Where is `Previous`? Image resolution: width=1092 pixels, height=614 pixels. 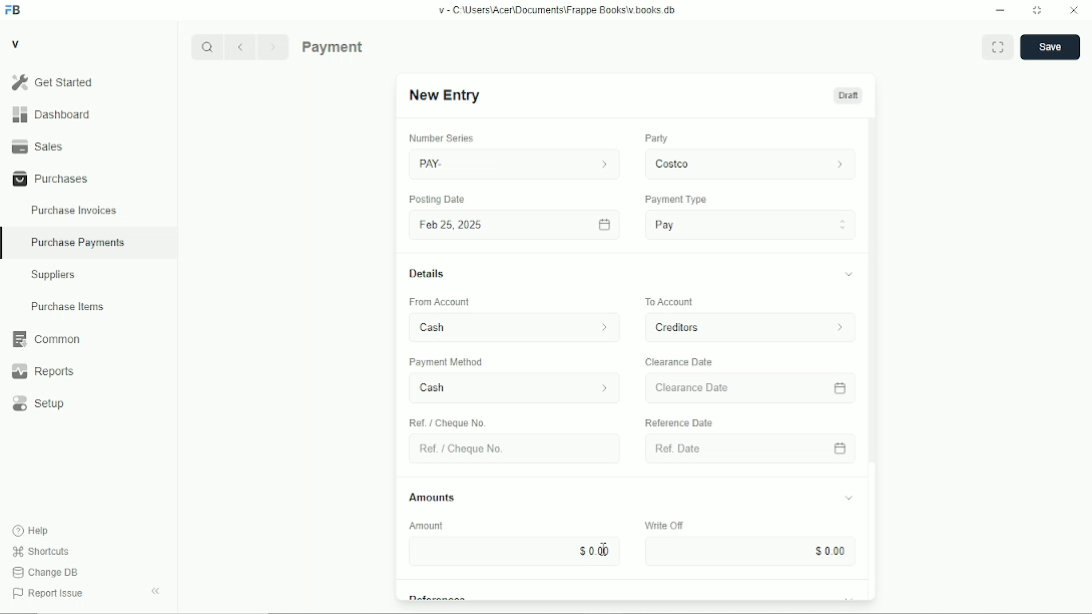
Previous is located at coordinates (240, 47).